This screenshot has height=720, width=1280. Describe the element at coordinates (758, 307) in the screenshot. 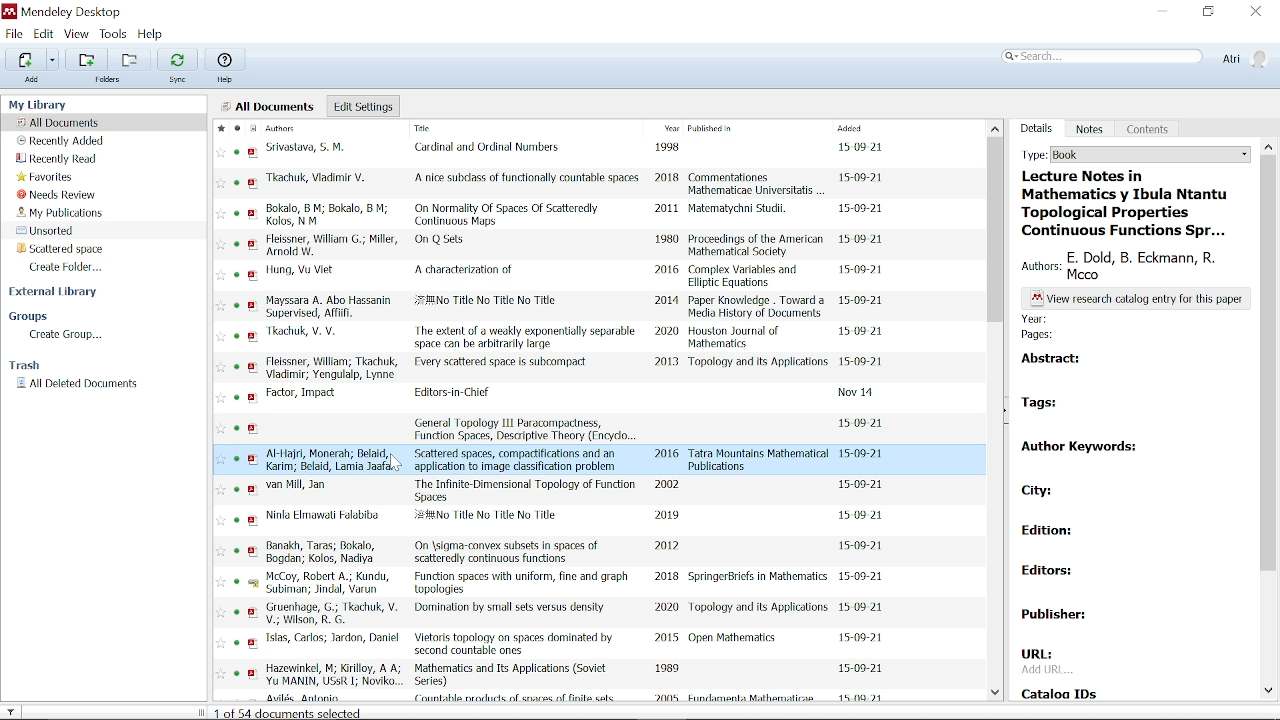

I see `Paper Knowledge . Toward a
Media History of Documents.` at that location.